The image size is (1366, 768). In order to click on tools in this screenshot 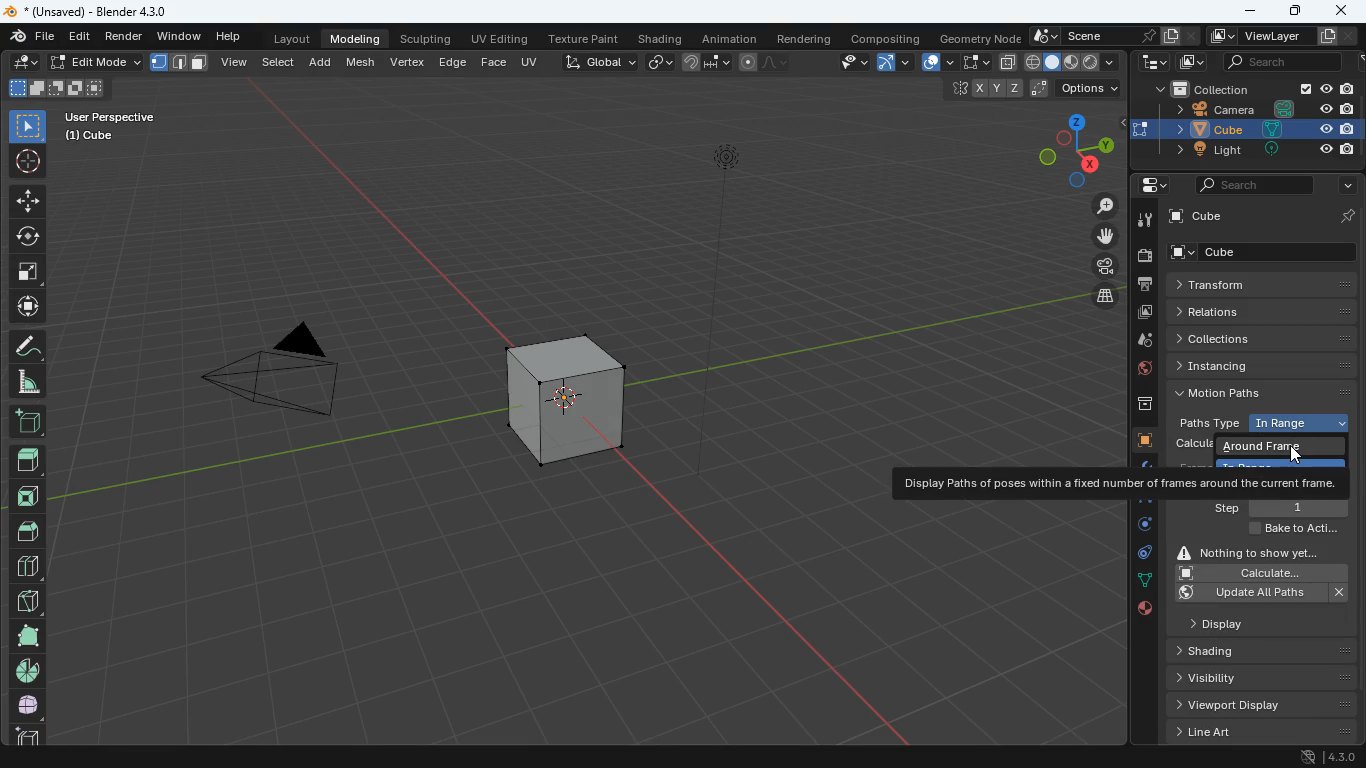, I will do `click(1142, 221)`.